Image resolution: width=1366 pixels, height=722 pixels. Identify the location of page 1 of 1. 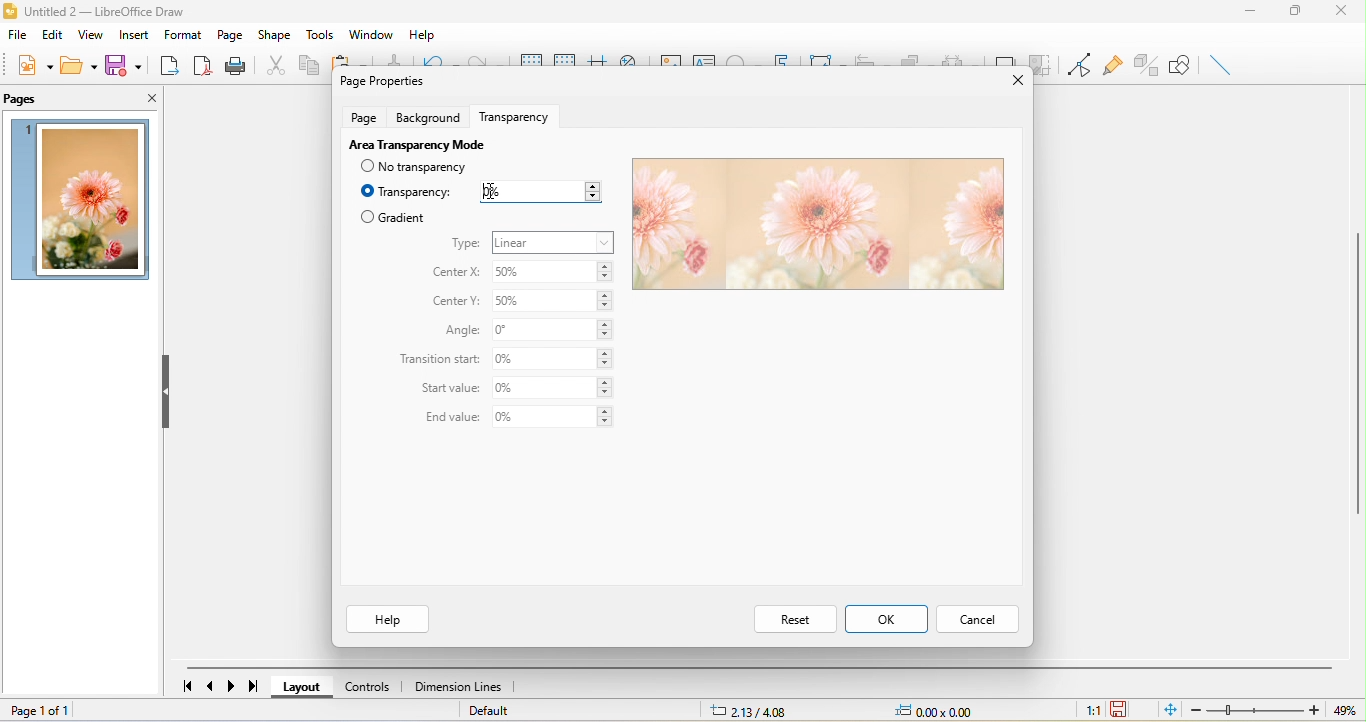
(79, 712).